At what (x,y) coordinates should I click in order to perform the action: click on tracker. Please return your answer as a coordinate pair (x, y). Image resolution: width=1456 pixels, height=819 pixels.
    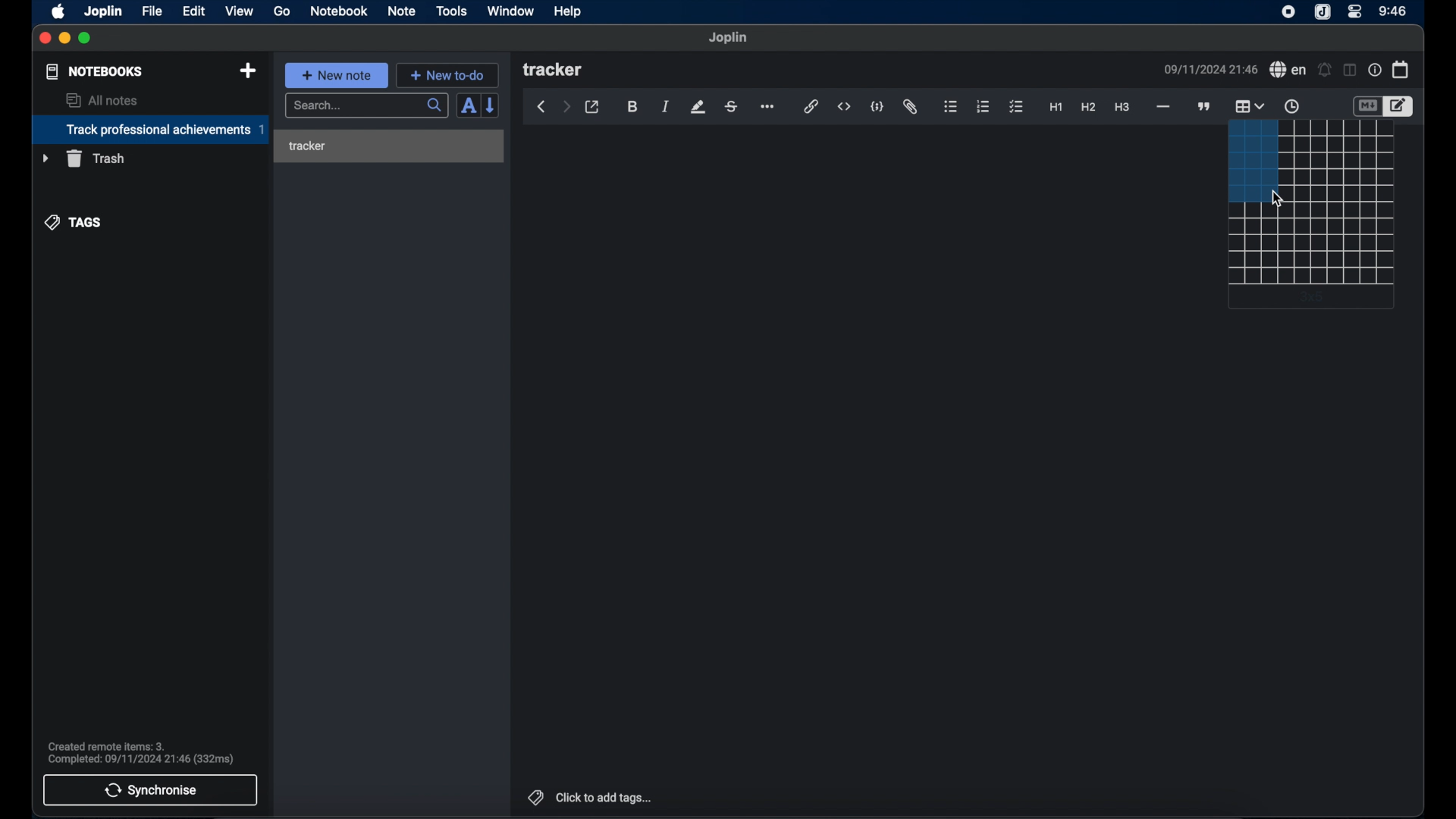
    Looking at the image, I should click on (554, 71).